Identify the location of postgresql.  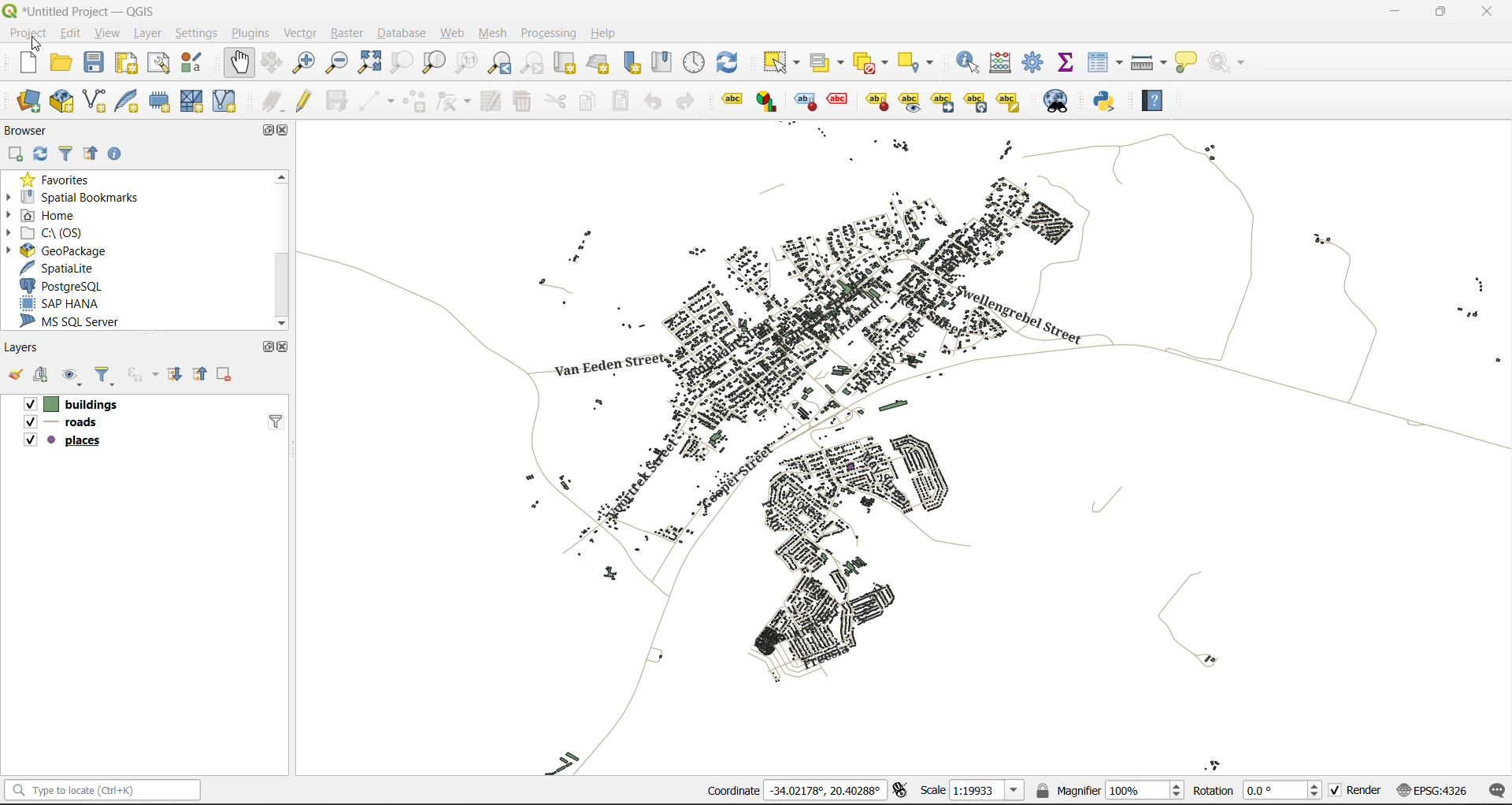
(65, 284).